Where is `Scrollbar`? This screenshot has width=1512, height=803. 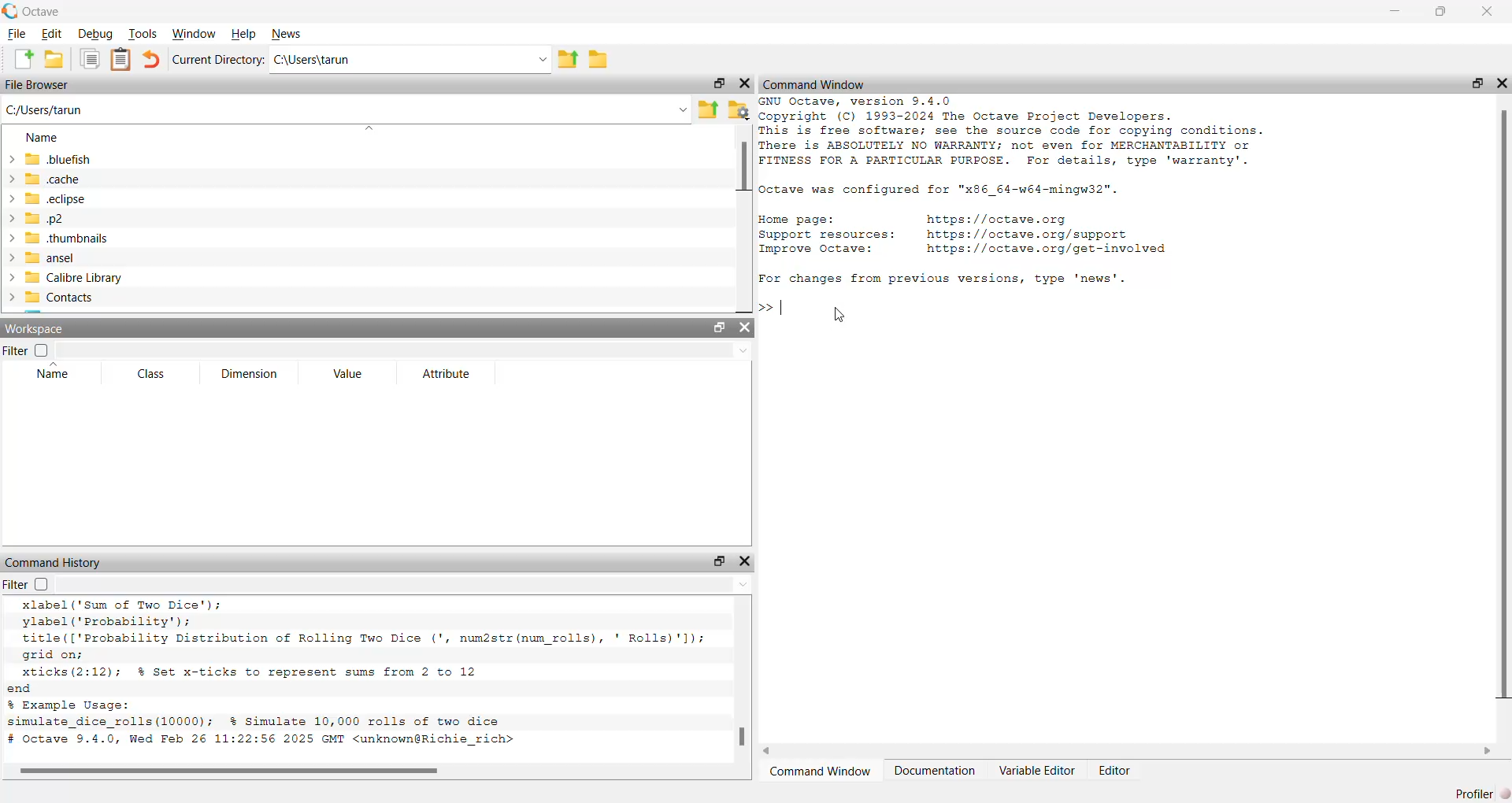 Scrollbar is located at coordinates (1502, 403).